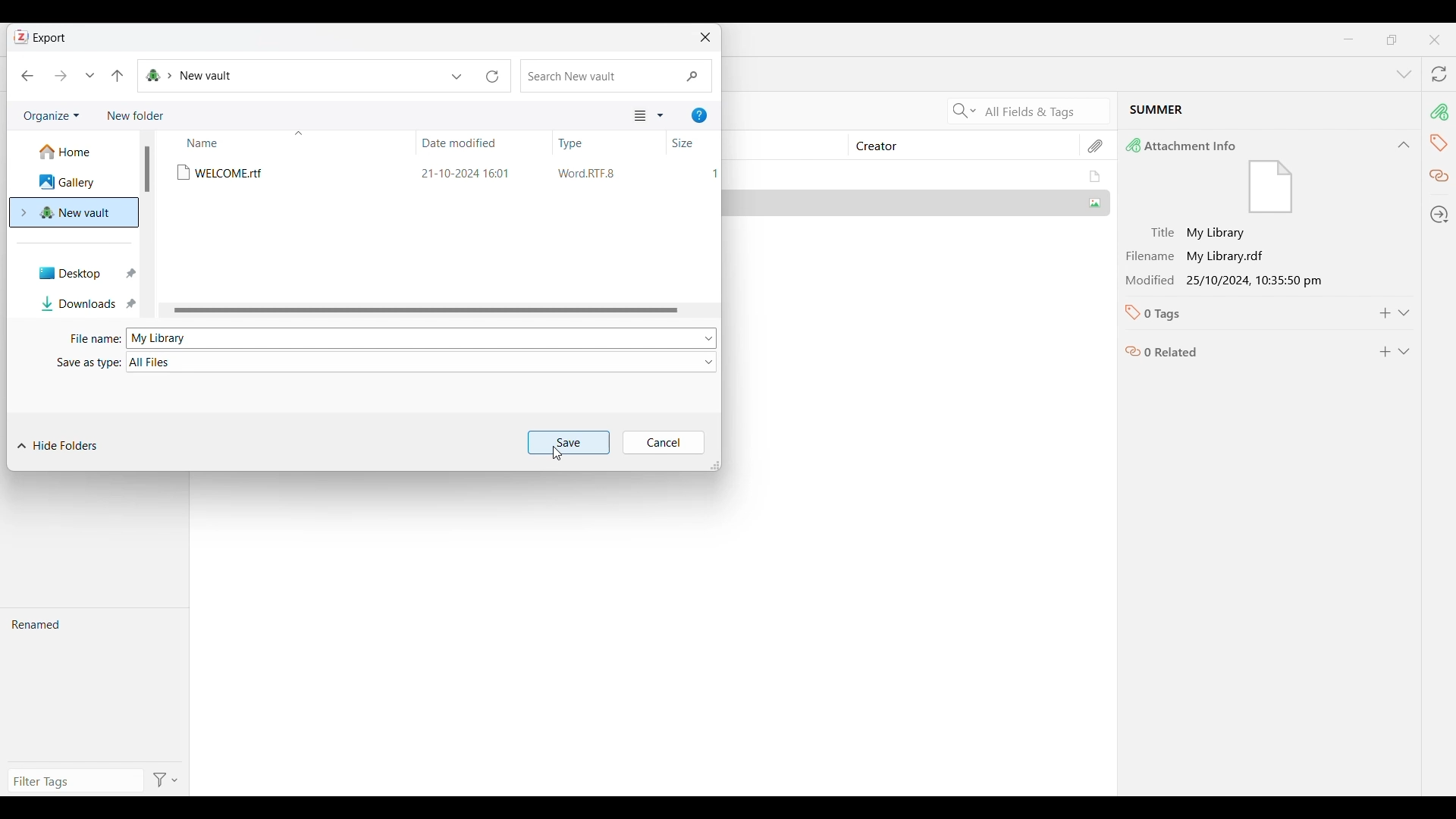  What do you see at coordinates (684, 142) in the screenshot?
I see `Size` at bounding box center [684, 142].